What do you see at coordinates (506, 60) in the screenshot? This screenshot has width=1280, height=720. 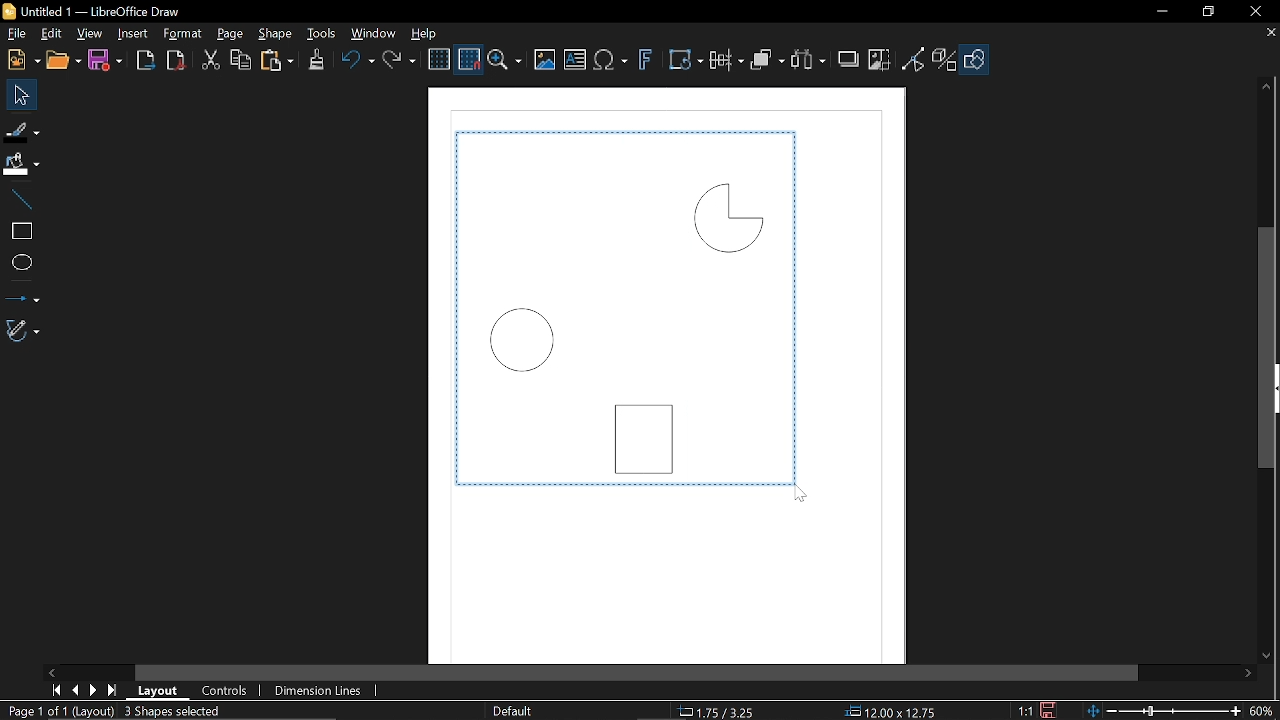 I see `Zoom` at bounding box center [506, 60].